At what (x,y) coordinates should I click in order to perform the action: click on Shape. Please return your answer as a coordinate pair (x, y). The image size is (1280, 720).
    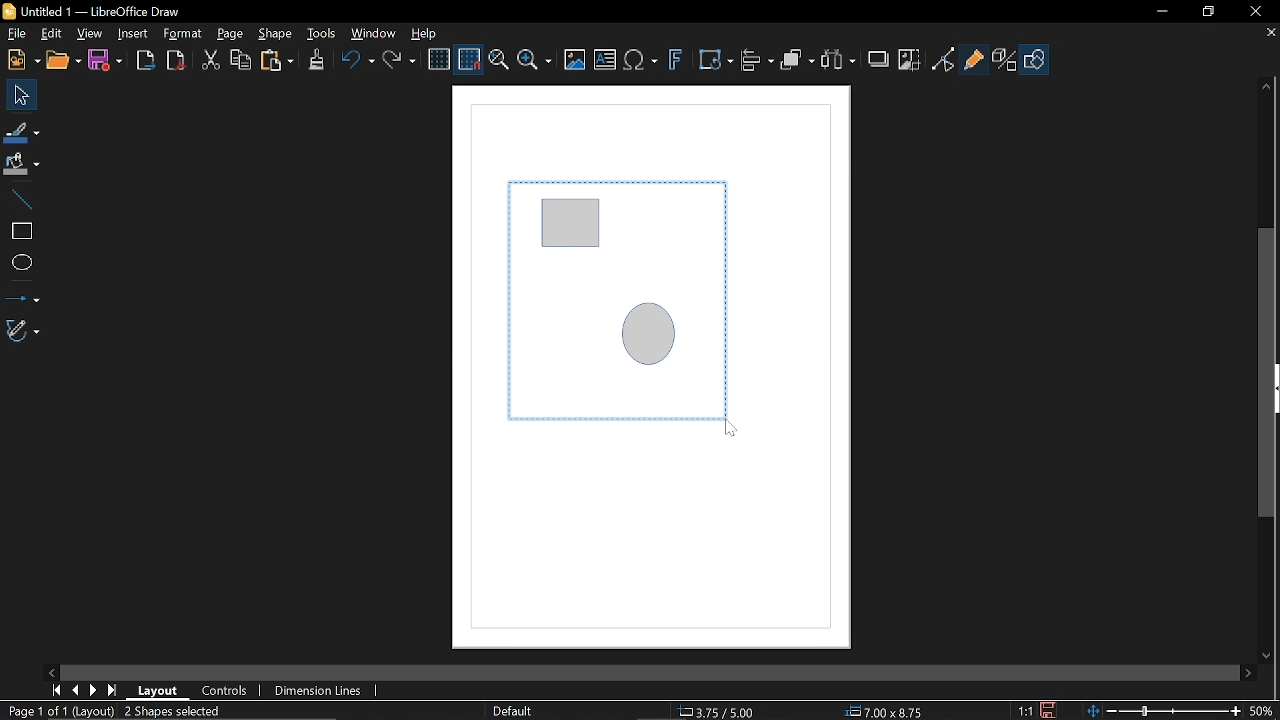
    Looking at the image, I should click on (275, 36).